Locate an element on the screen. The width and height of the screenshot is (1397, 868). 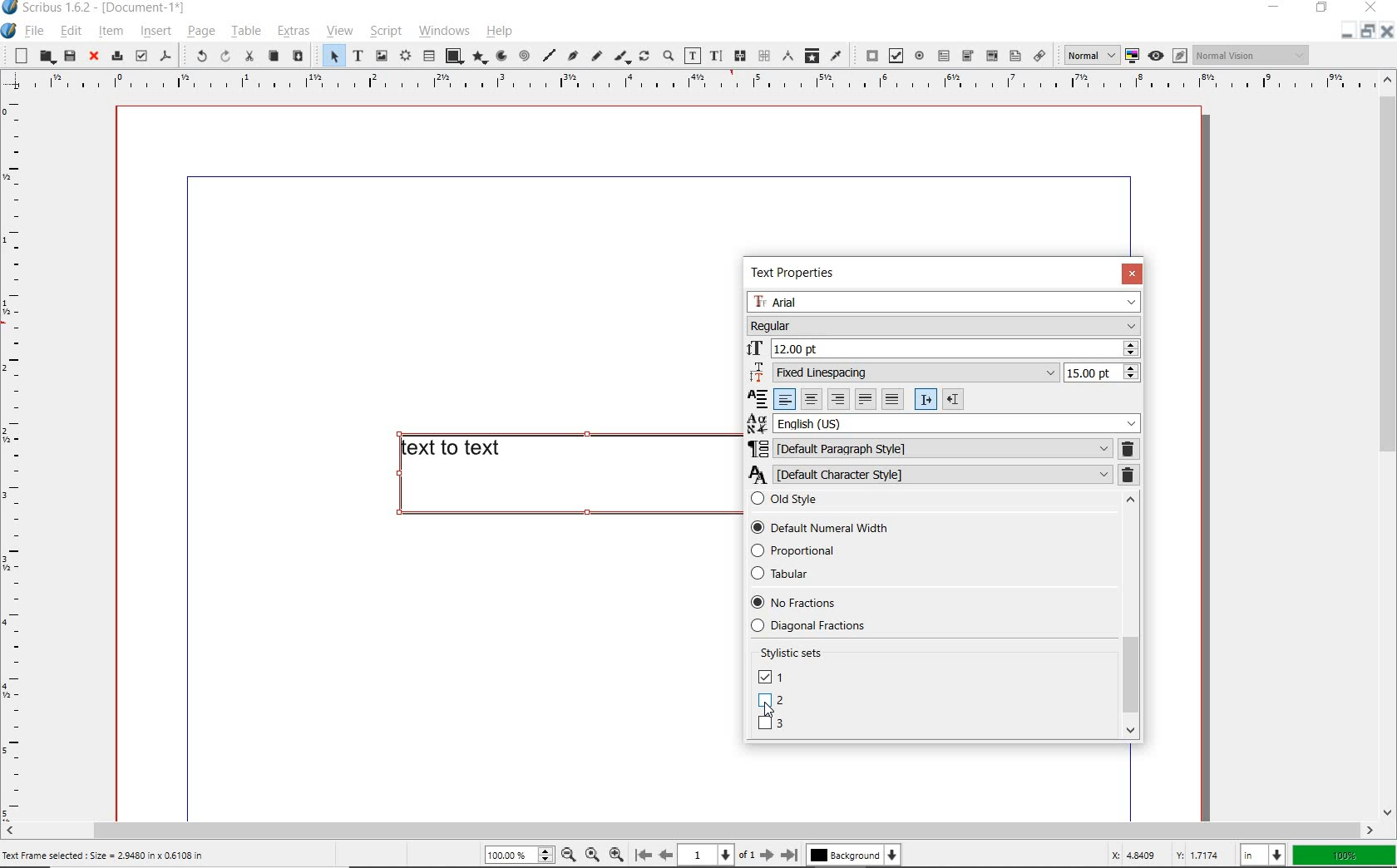
Zoom out is located at coordinates (565, 855).